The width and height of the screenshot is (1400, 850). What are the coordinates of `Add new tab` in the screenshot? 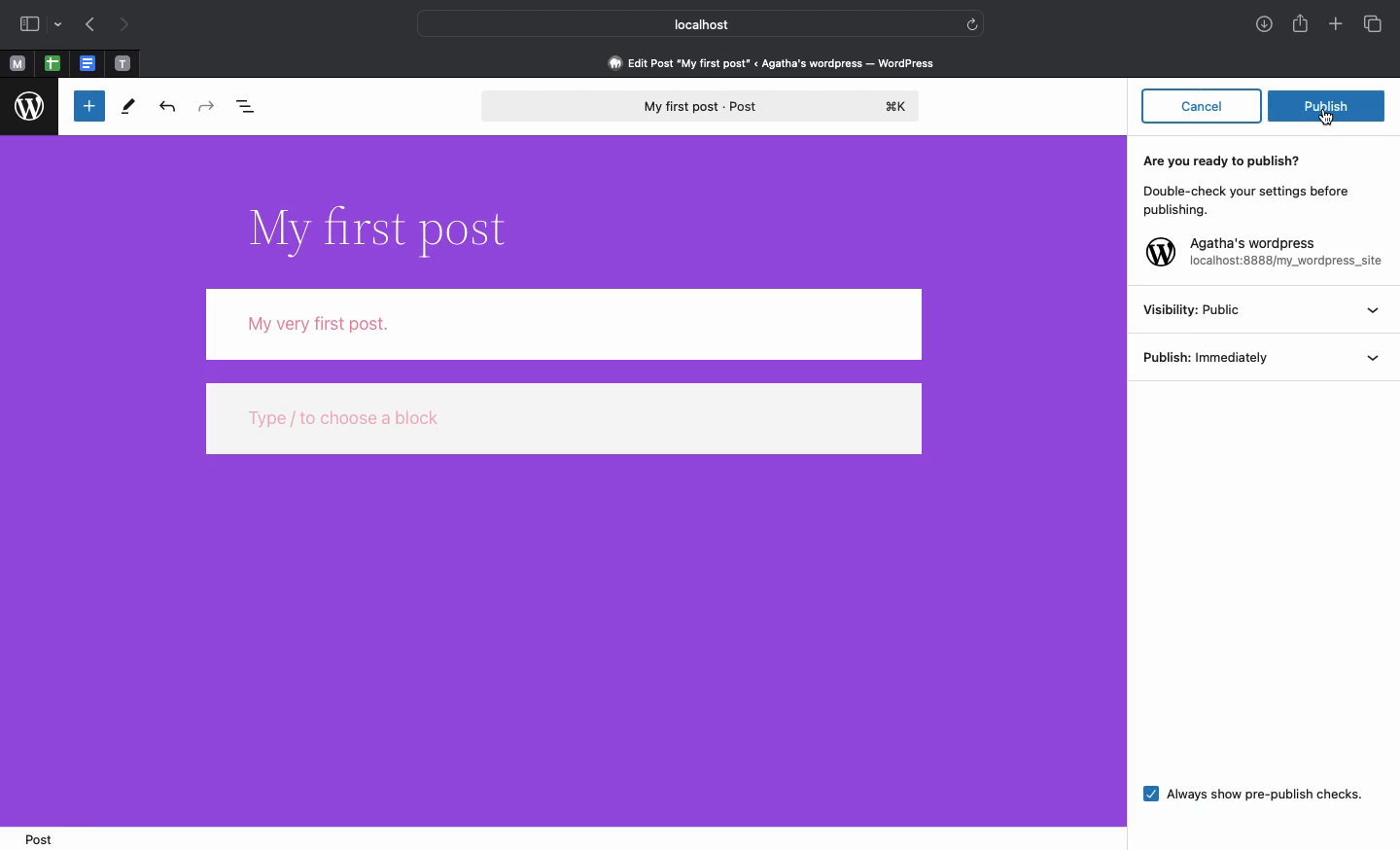 It's located at (1337, 25).